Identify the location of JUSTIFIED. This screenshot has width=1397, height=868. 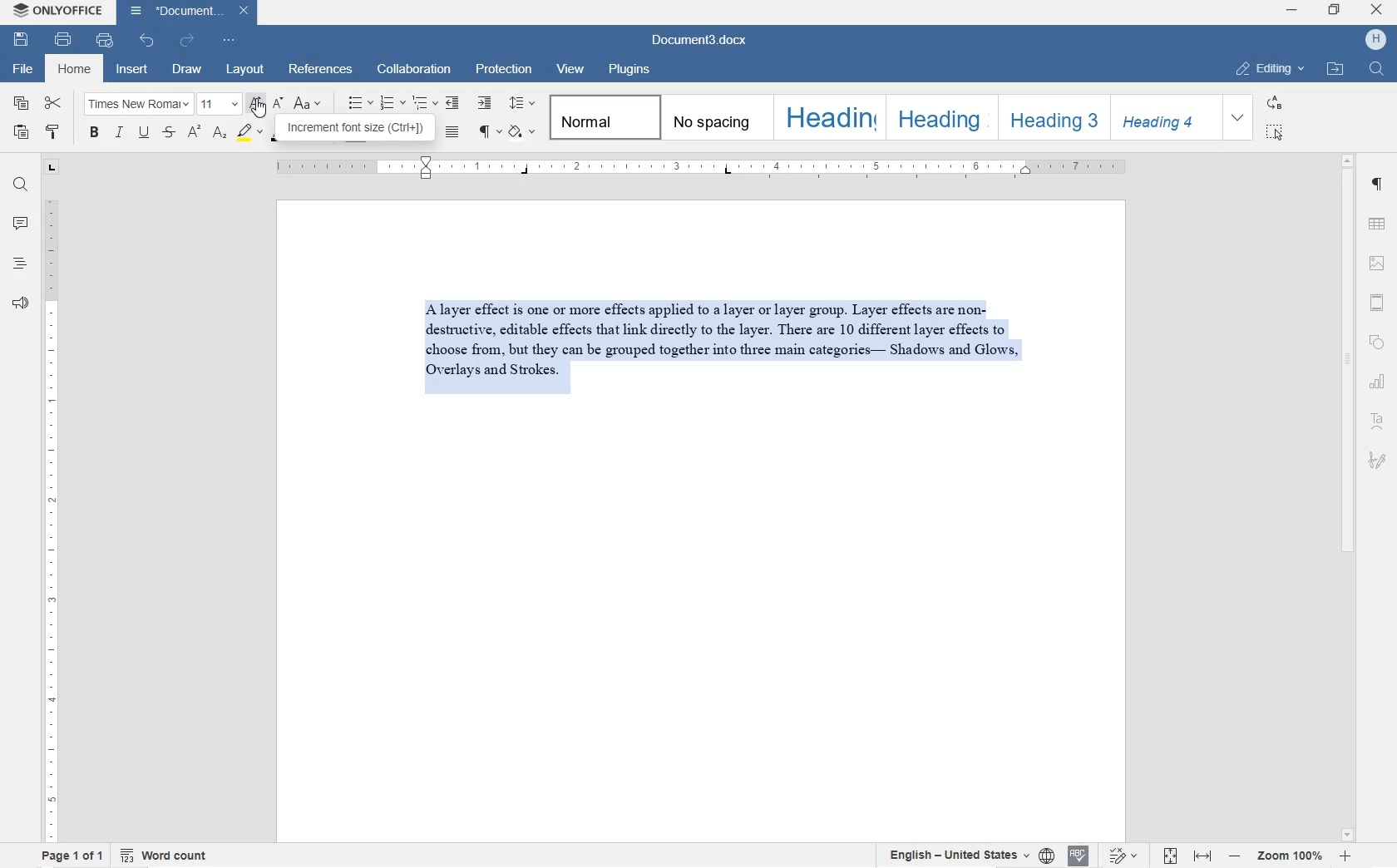
(453, 131).